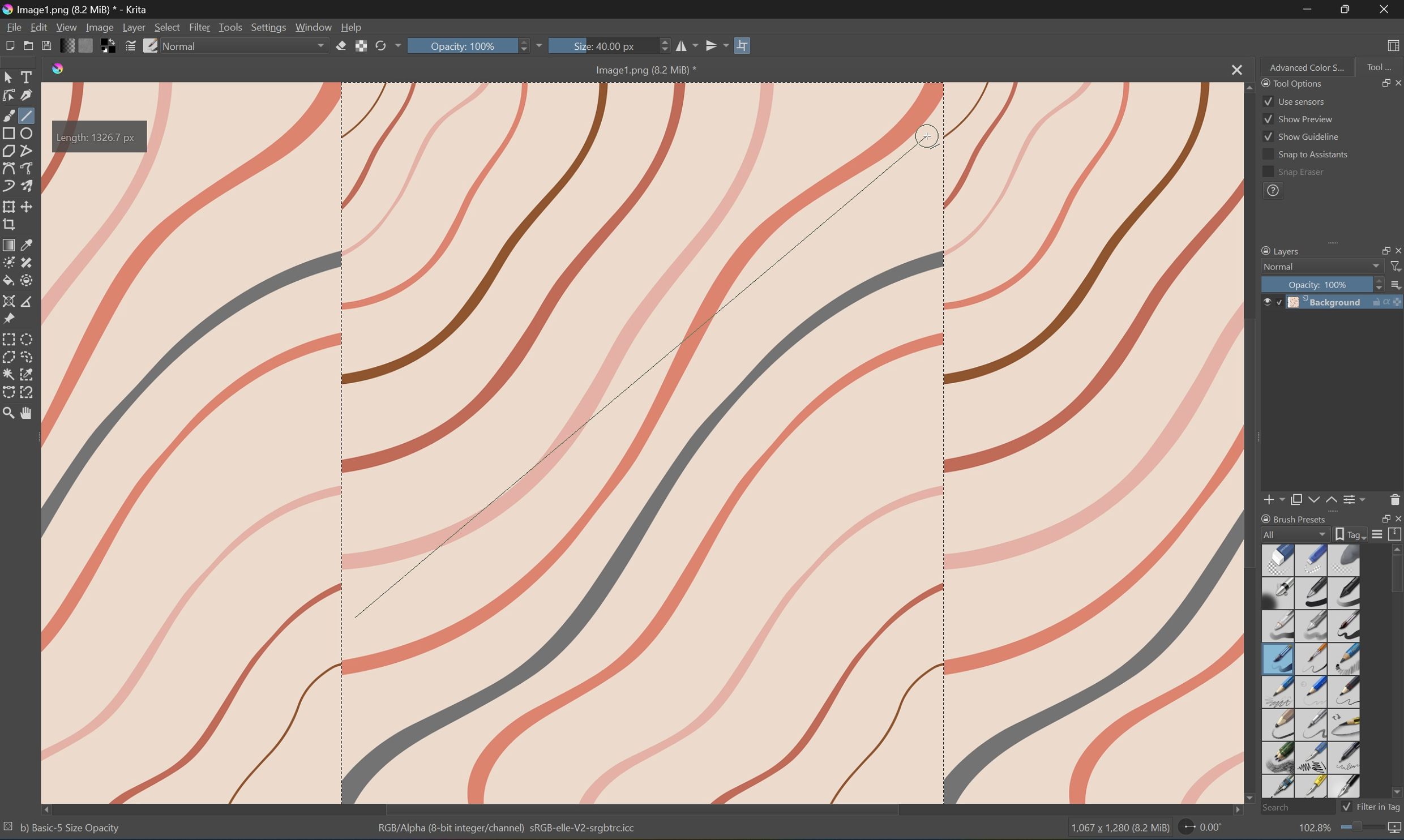 The width and height of the screenshot is (1404, 840). I want to click on Fill patterns, so click(89, 47).